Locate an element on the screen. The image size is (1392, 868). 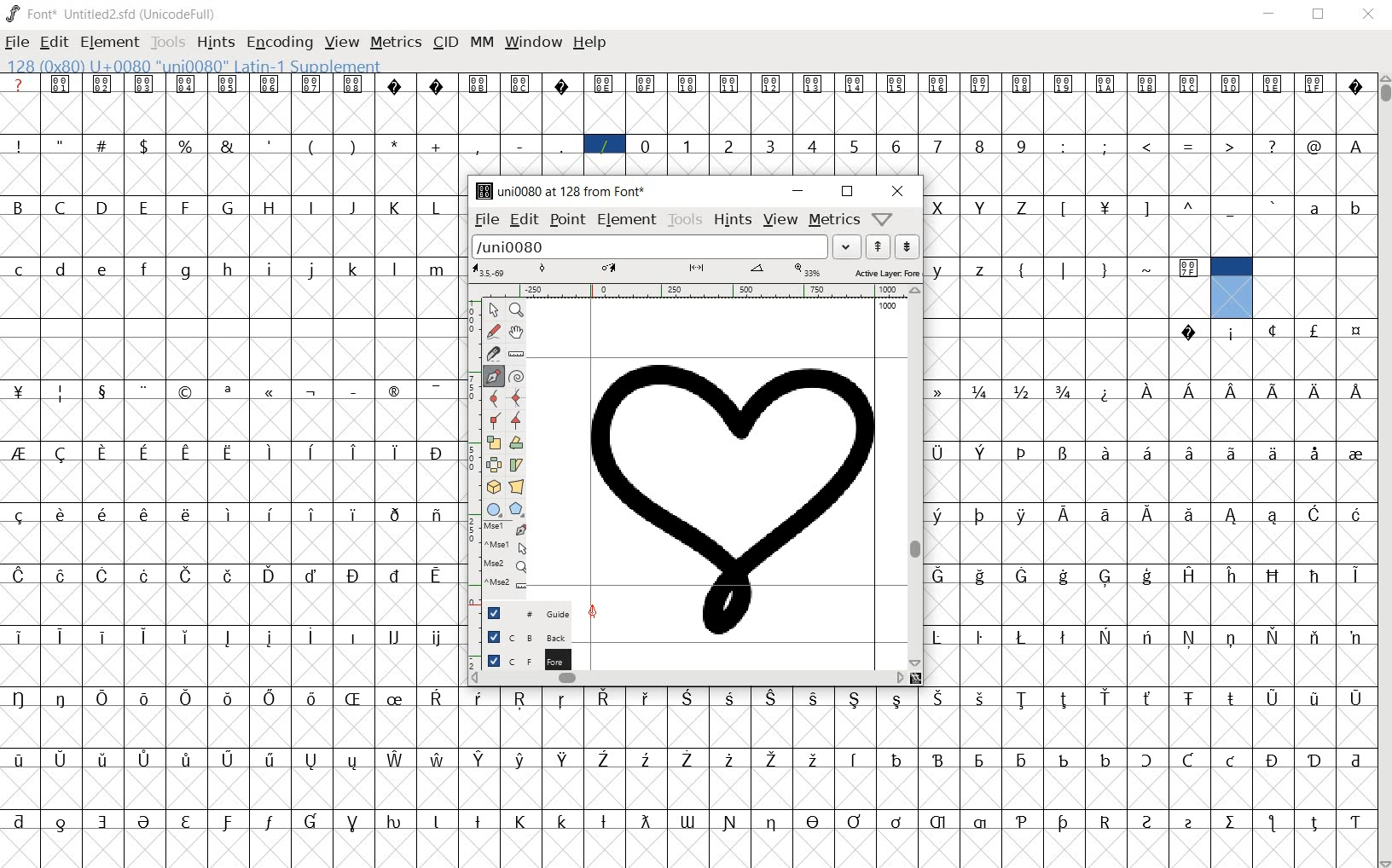
glyph is located at coordinates (1190, 205).